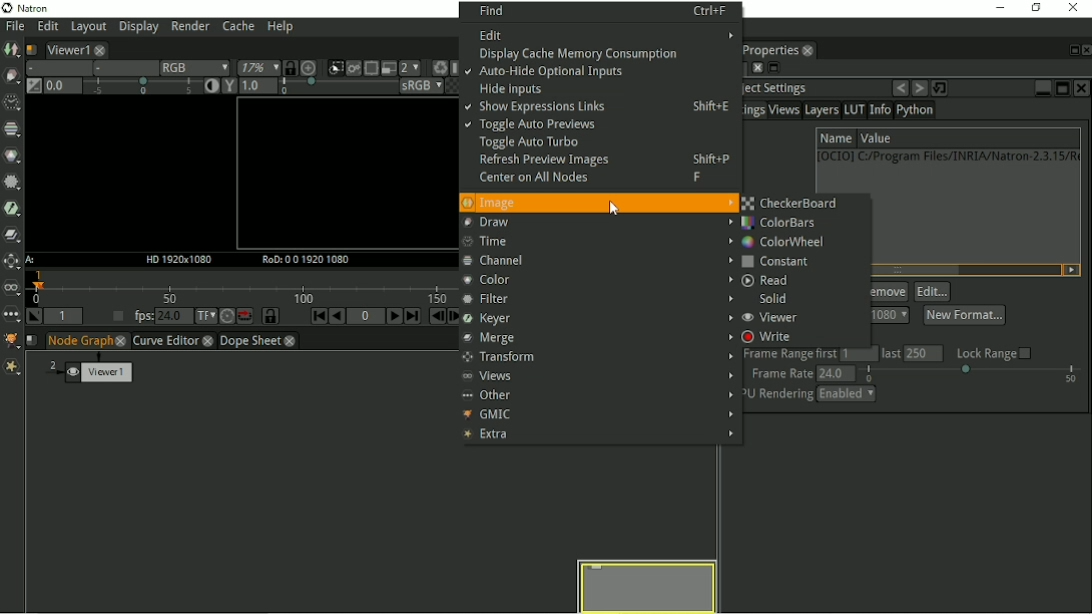  Describe the element at coordinates (617, 207) in the screenshot. I see `cursor` at that location.